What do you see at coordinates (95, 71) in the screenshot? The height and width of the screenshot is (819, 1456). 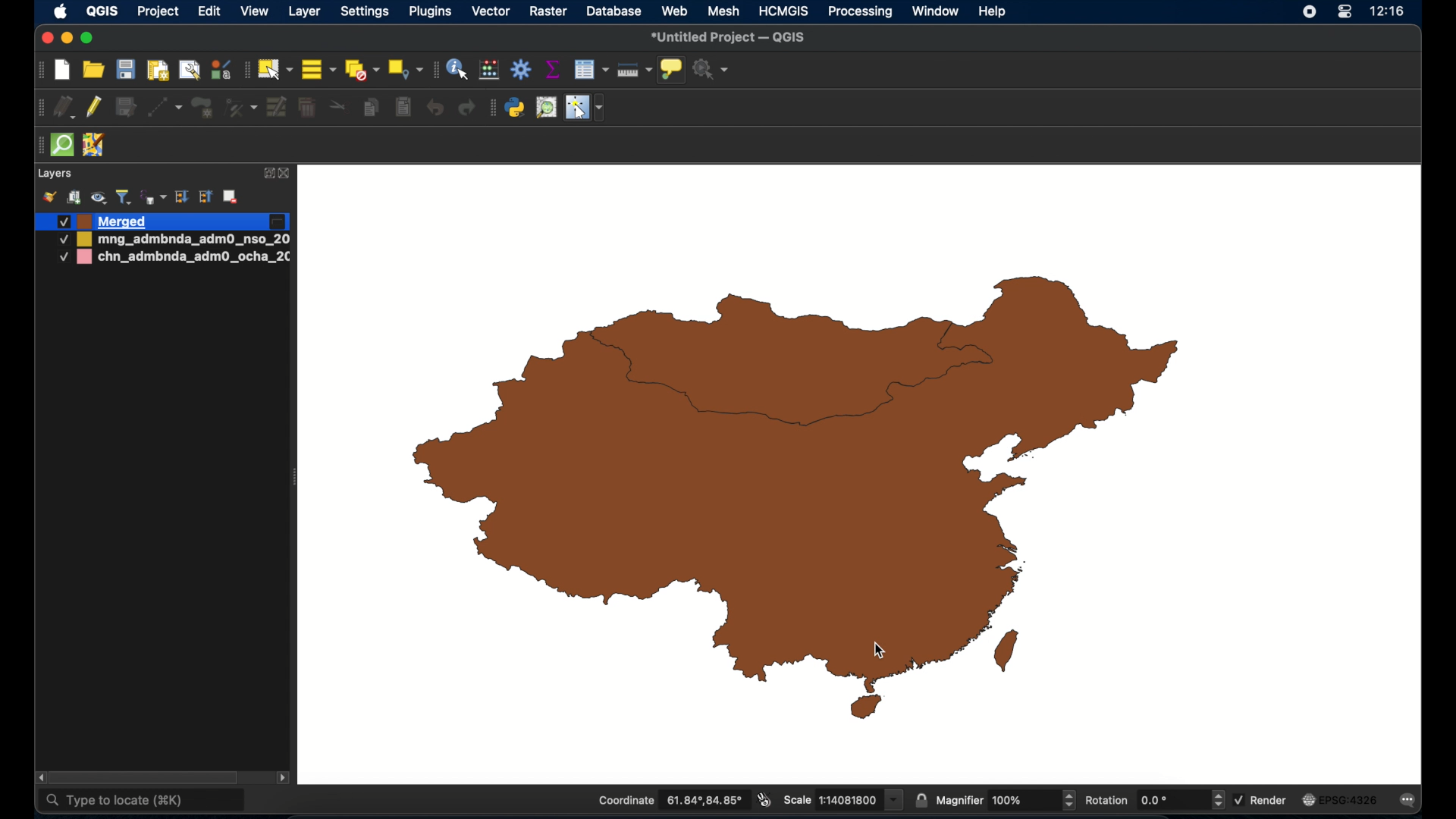 I see `open project` at bounding box center [95, 71].